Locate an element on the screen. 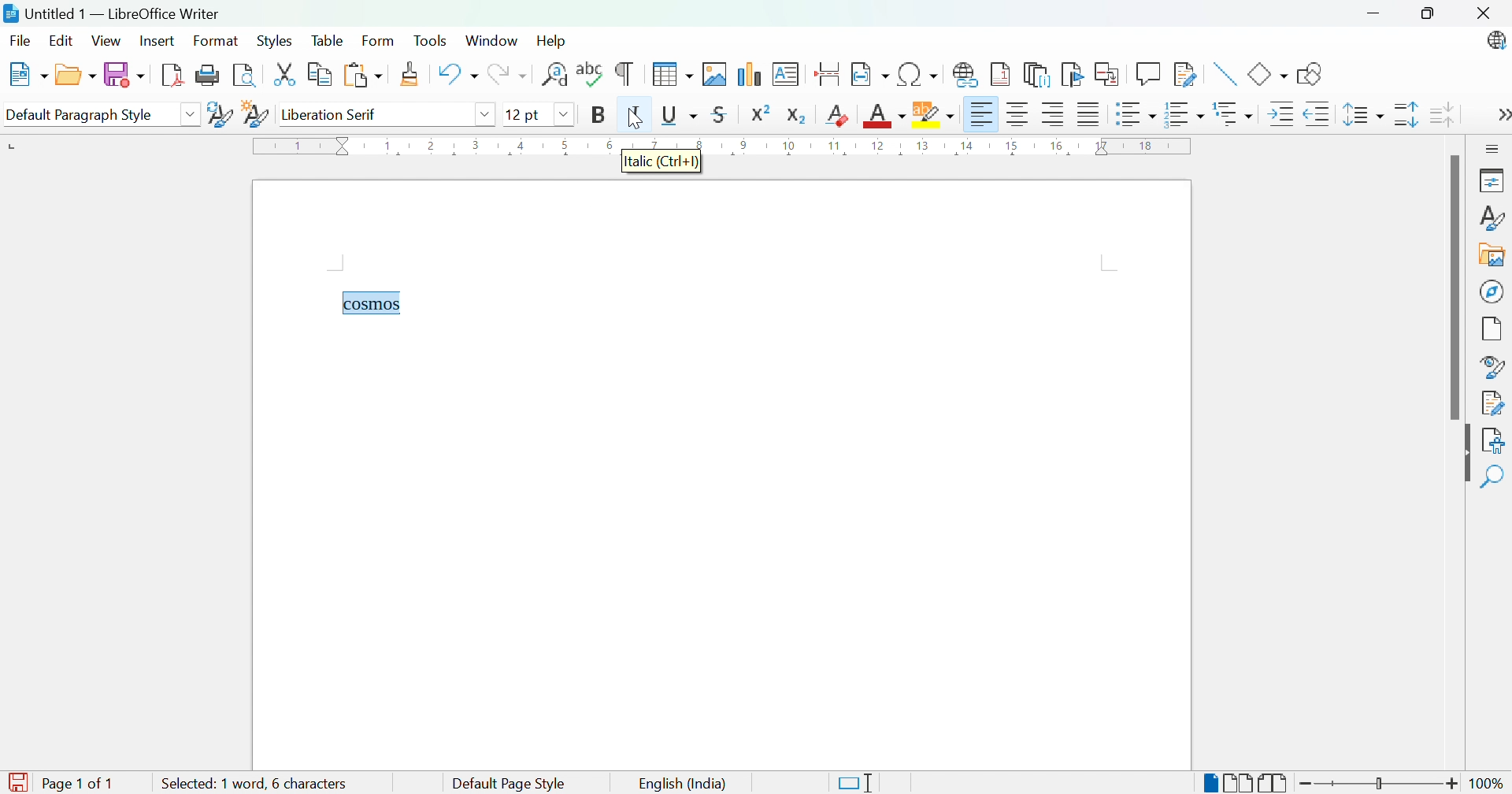 This screenshot has width=1512, height=794. More is located at coordinates (1503, 117).